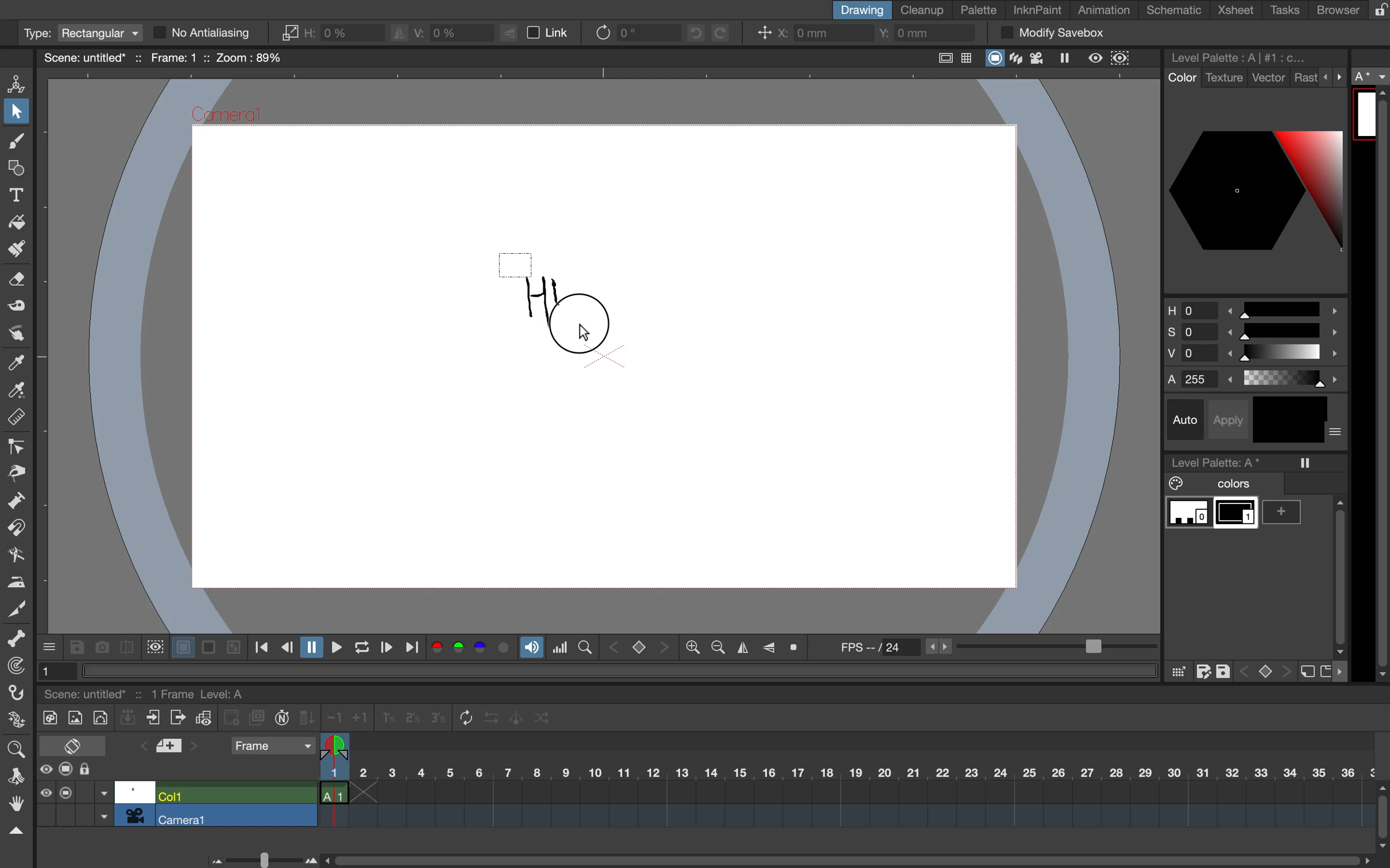  What do you see at coordinates (17, 447) in the screenshot?
I see `control point edit tool` at bounding box center [17, 447].